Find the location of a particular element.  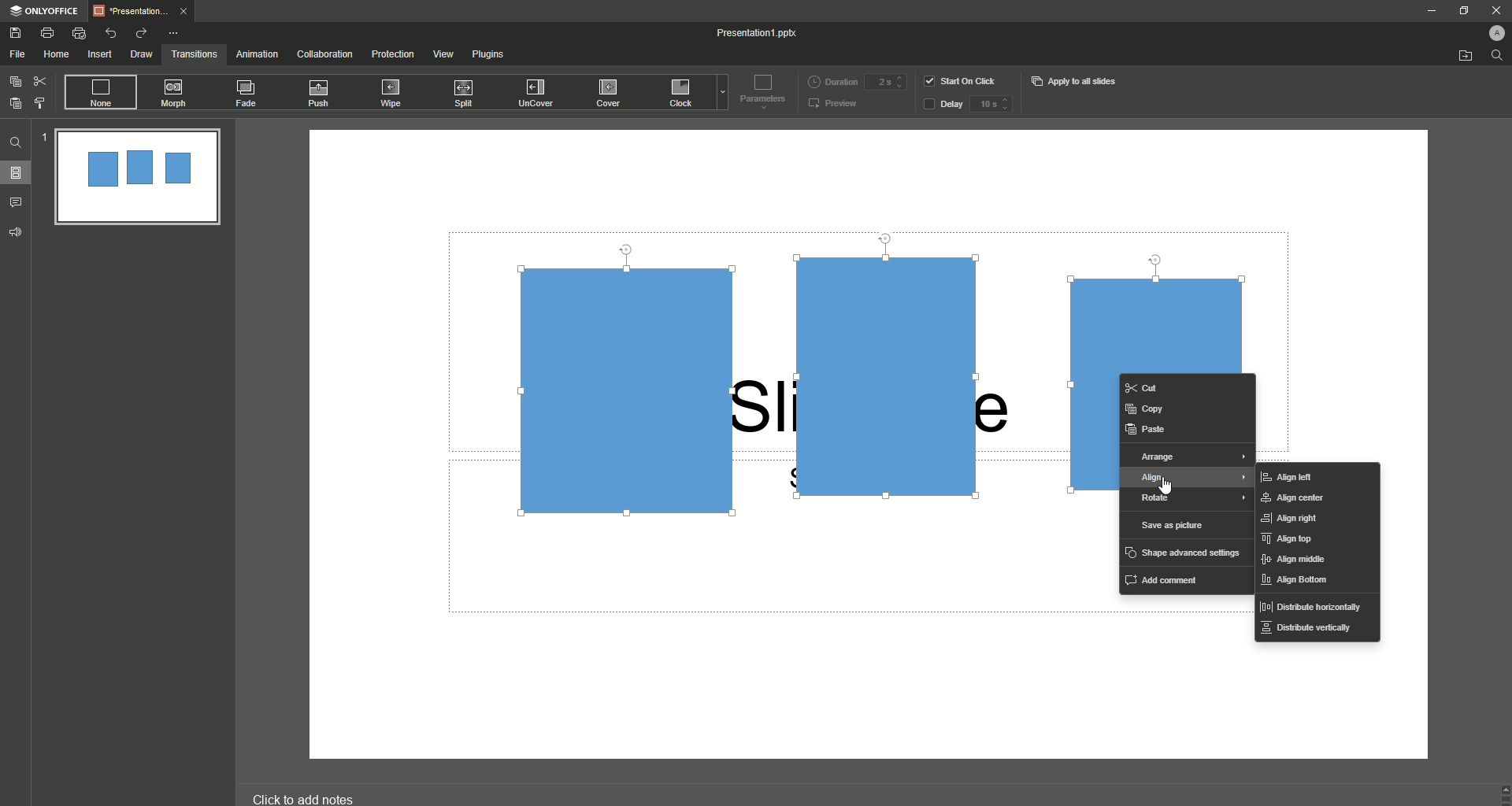

shape 2 selected is located at coordinates (891, 370).